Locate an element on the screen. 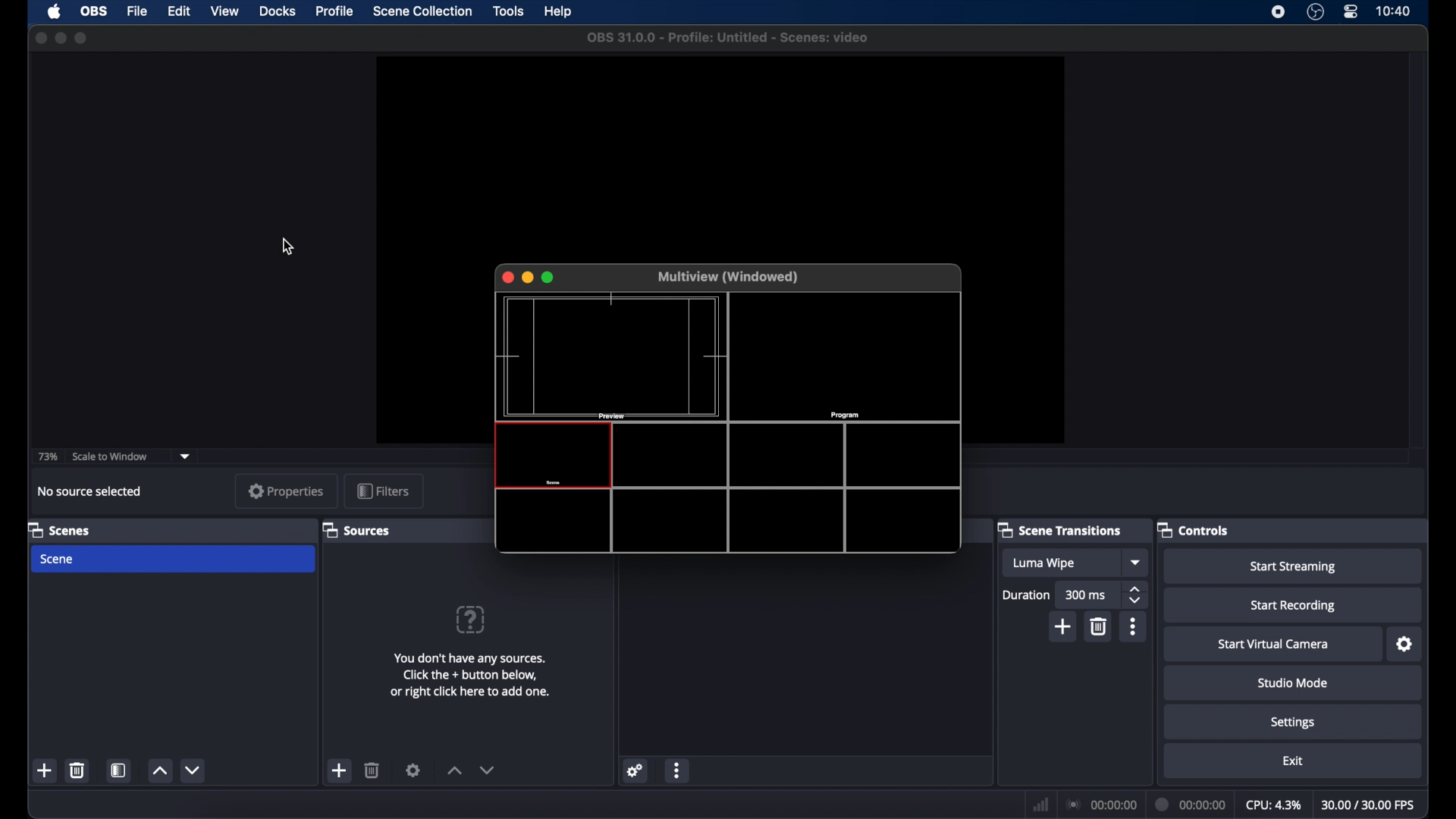  add is located at coordinates (45, 770).